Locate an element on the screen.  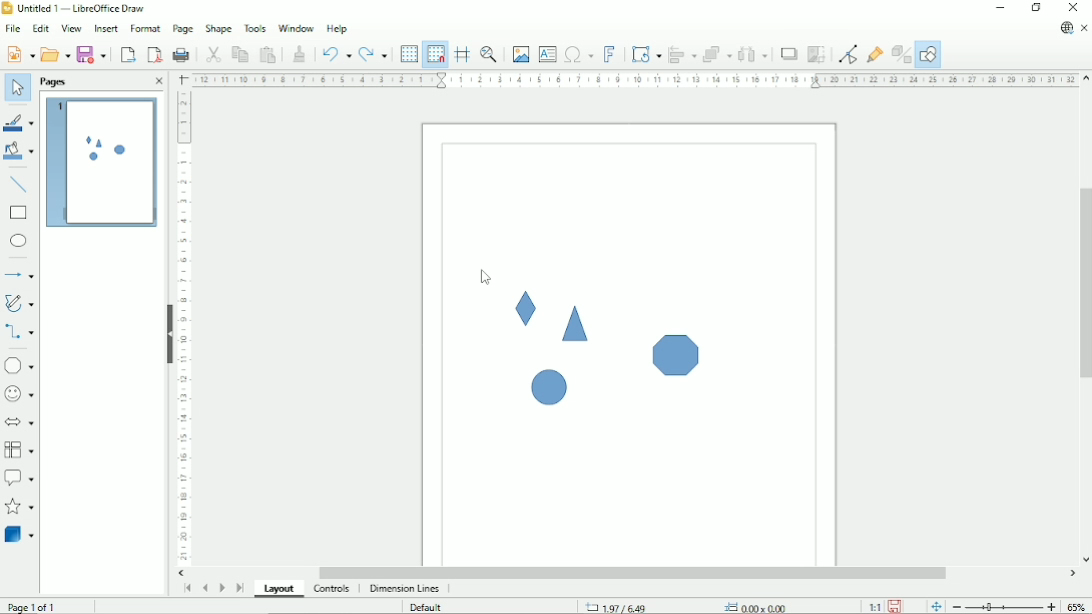
Page 1 of 1 is located at coordinates (43, 606).